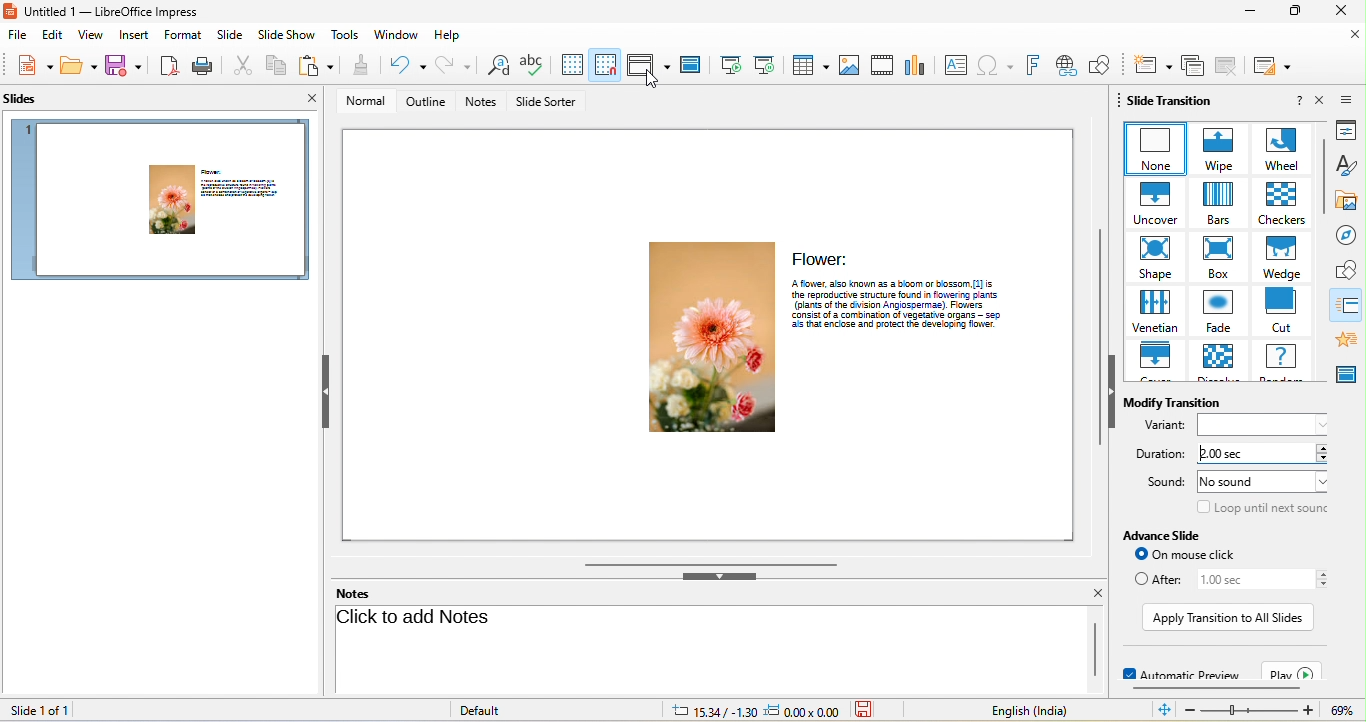 This screenshot has width=1366, height=722. I want to click on slide transition, so click(1350, 305).